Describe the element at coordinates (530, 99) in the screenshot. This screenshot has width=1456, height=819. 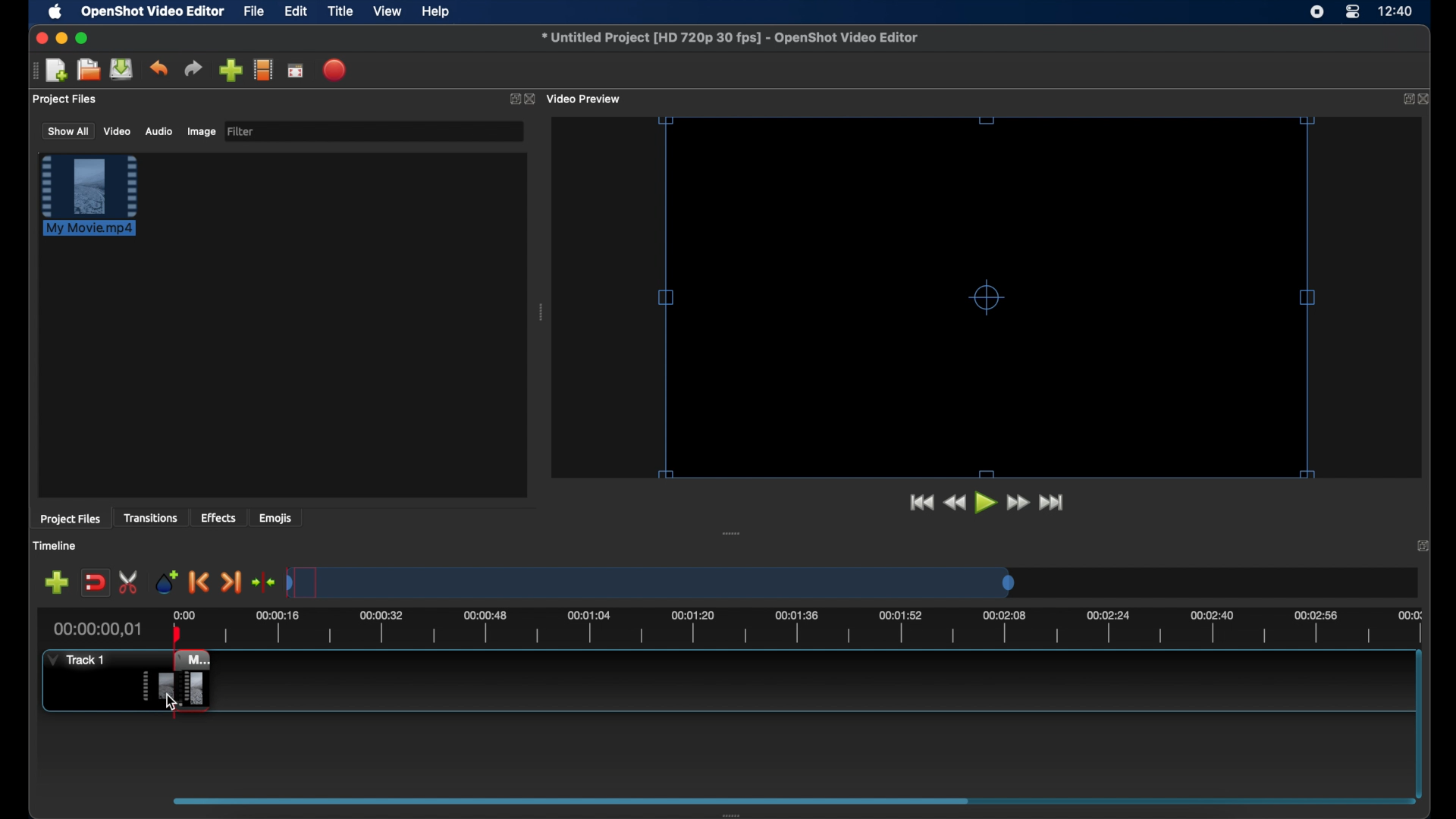
I see `close` at that location.